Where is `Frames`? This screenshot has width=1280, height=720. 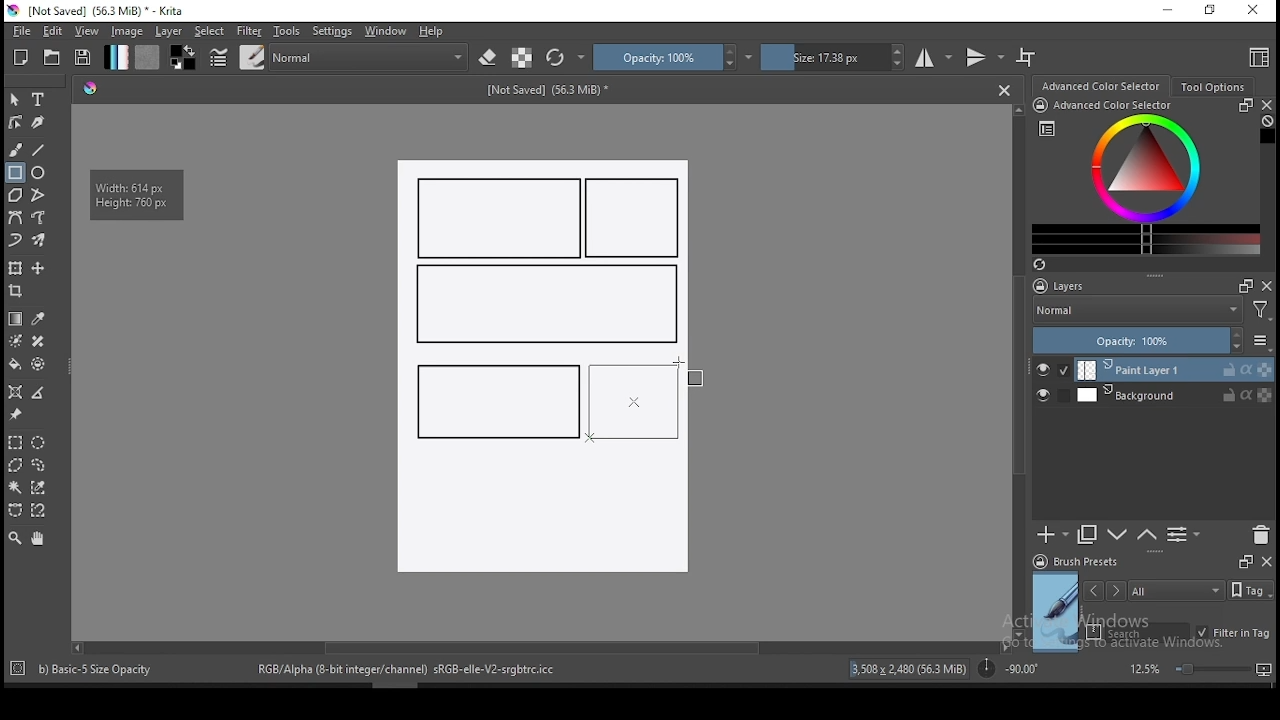 Frames is located at coordinates (1240, 285).